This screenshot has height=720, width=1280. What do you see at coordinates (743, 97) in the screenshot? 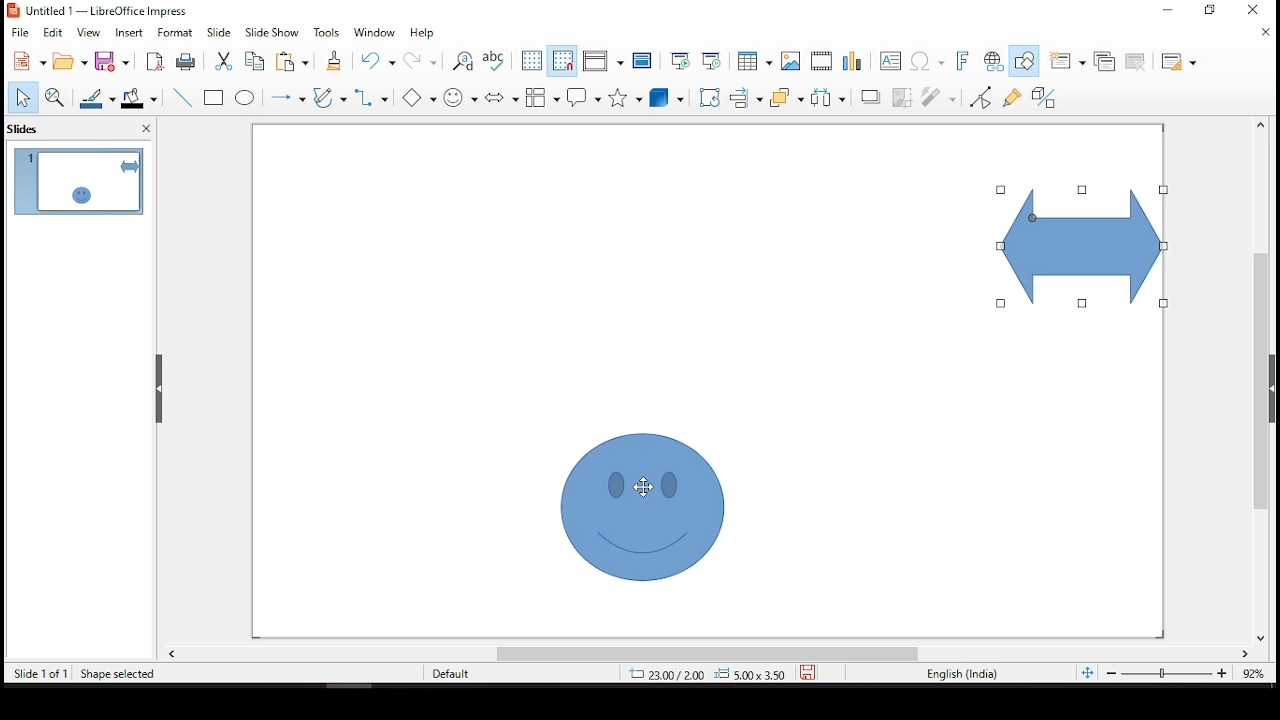
I see `align objects` at bounding box center [743, 97].